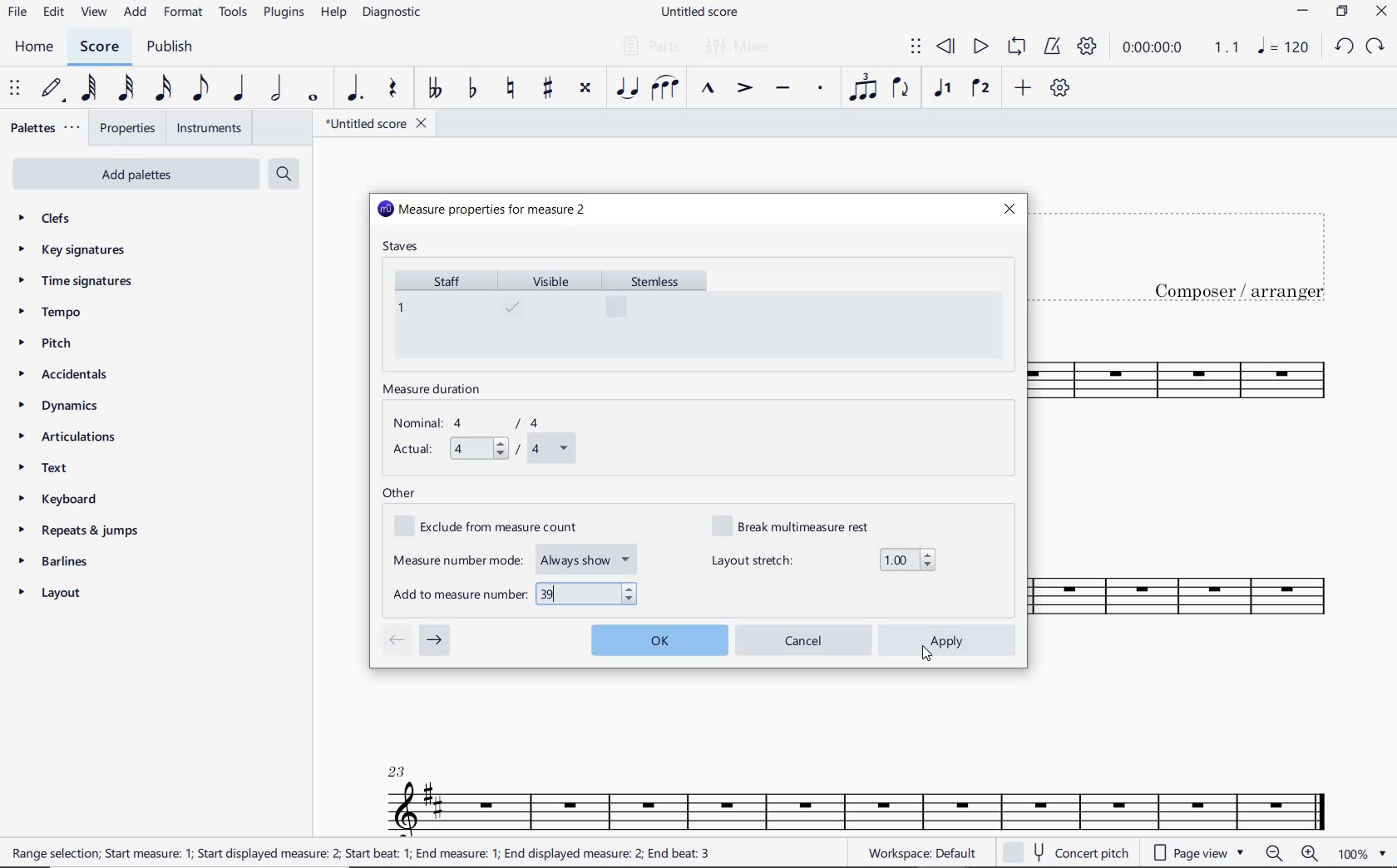 This screenshot has height=868, width=1397. Describe the element at coordinates (739, 47) in the screenshot. I see `MIXER` at that location.